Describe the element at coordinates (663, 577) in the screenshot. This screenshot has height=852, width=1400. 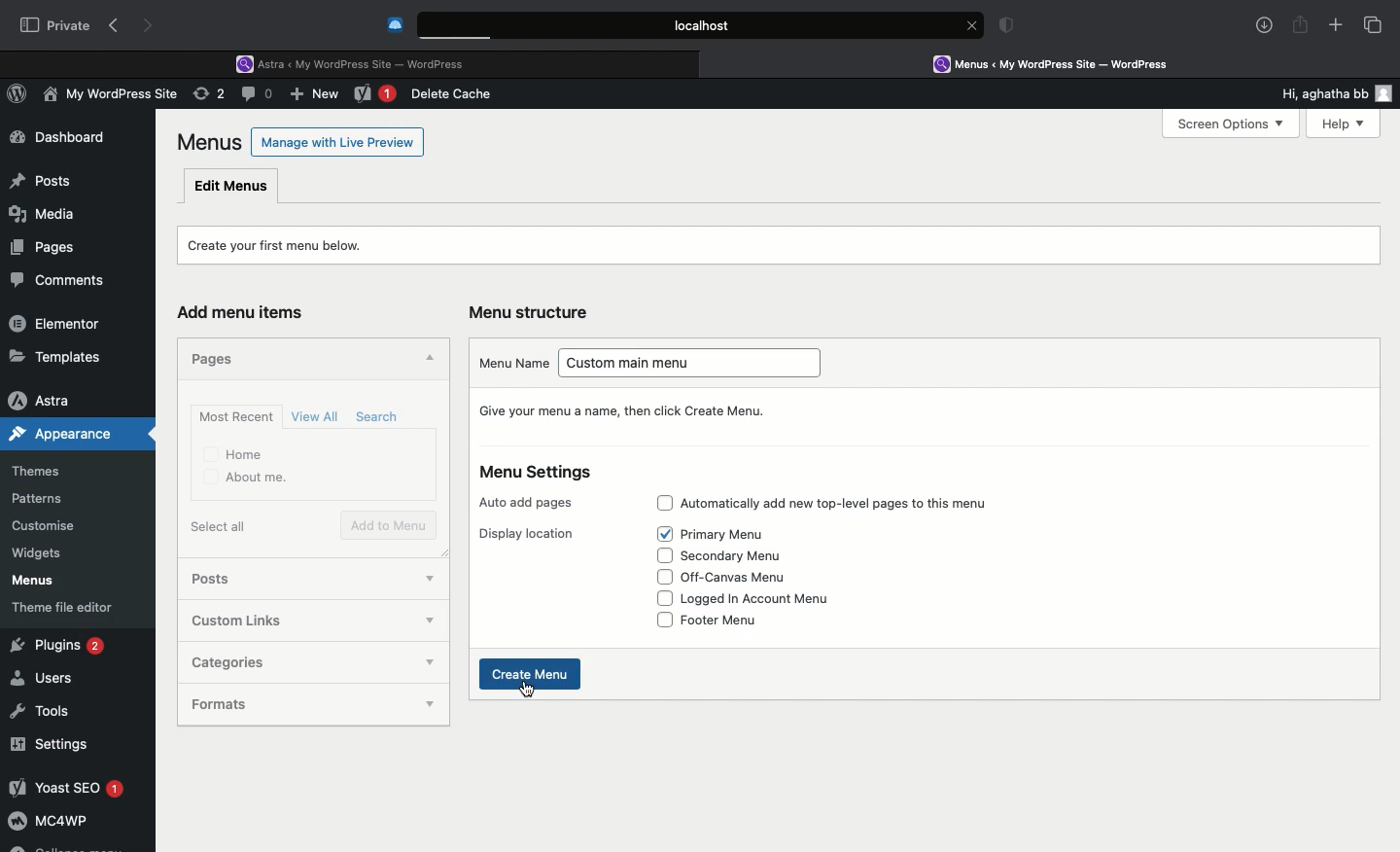
I see `Check box` at that location.